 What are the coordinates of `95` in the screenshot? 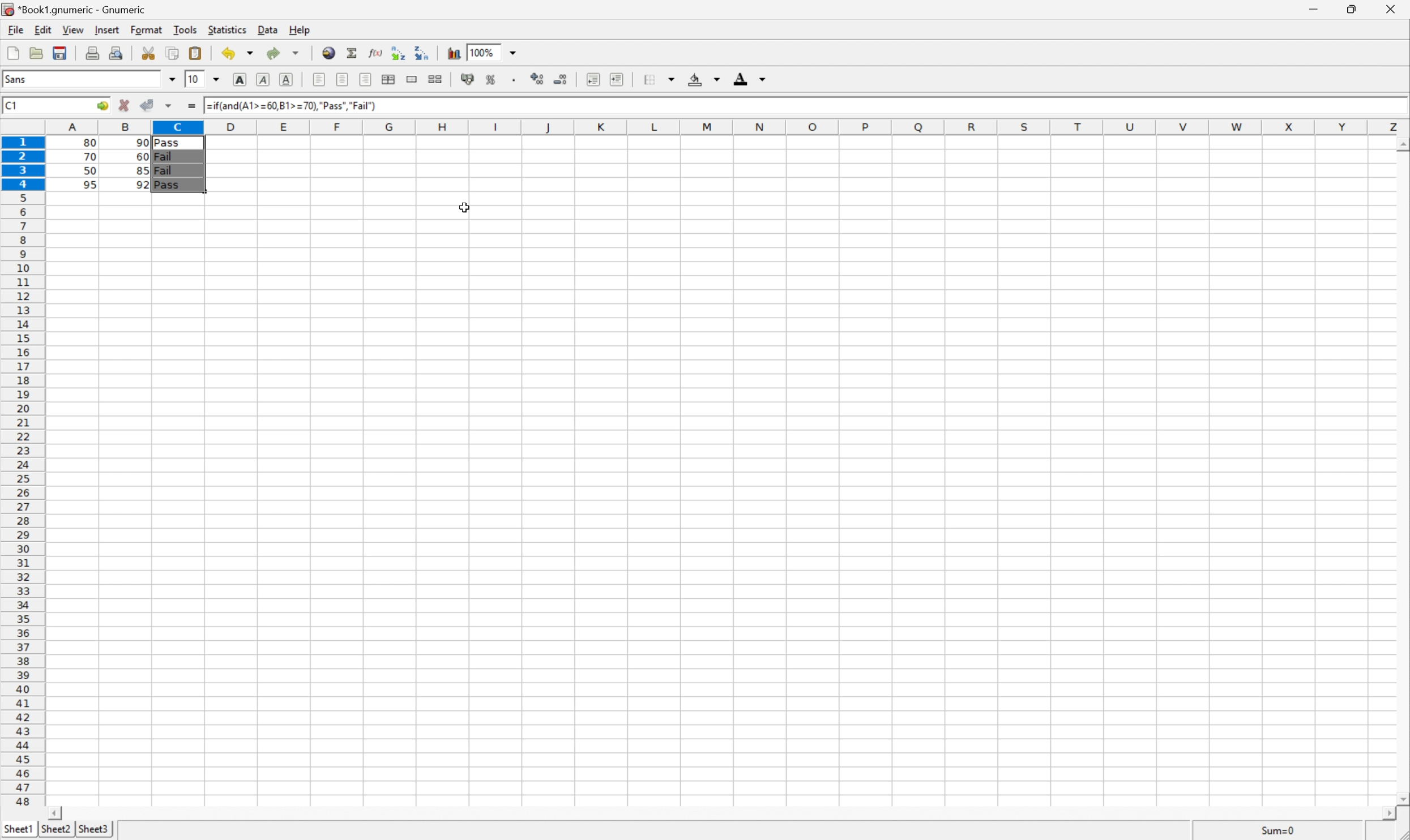 It's located at (89, 185).